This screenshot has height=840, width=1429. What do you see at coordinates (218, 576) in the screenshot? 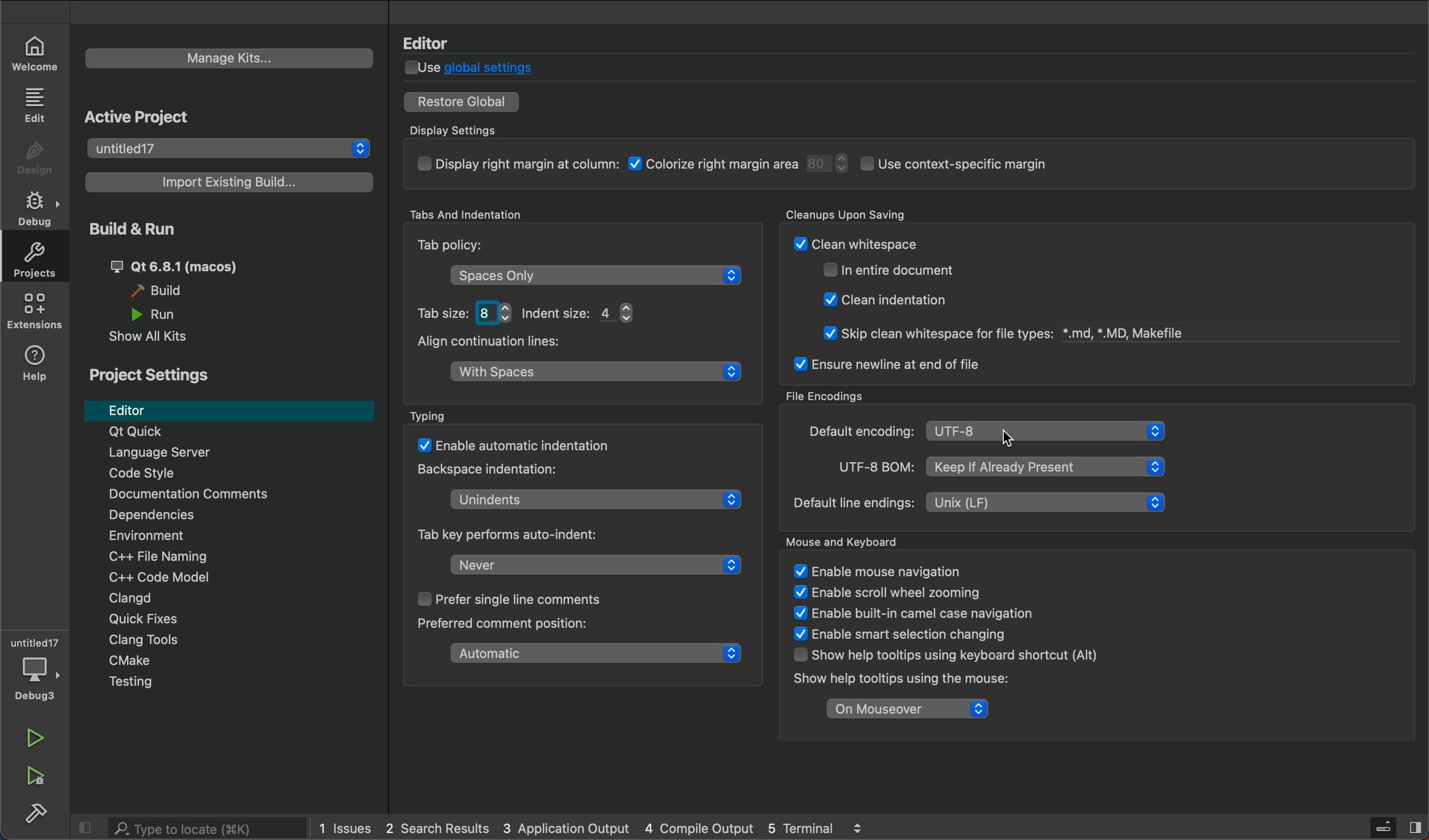
I see `code modal` at bounding box center [218, 576].